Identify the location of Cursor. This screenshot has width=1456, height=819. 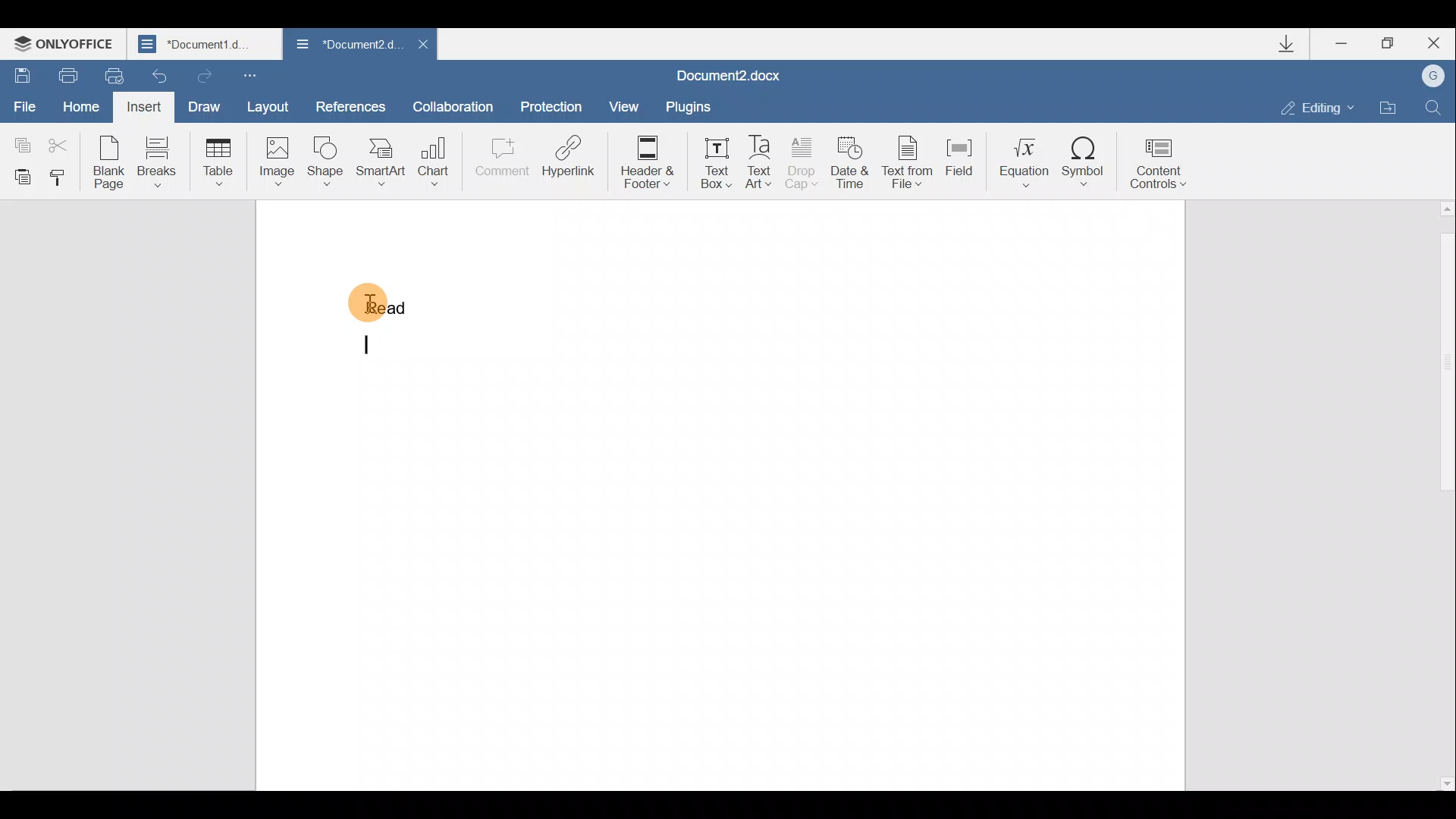
(396, 306).